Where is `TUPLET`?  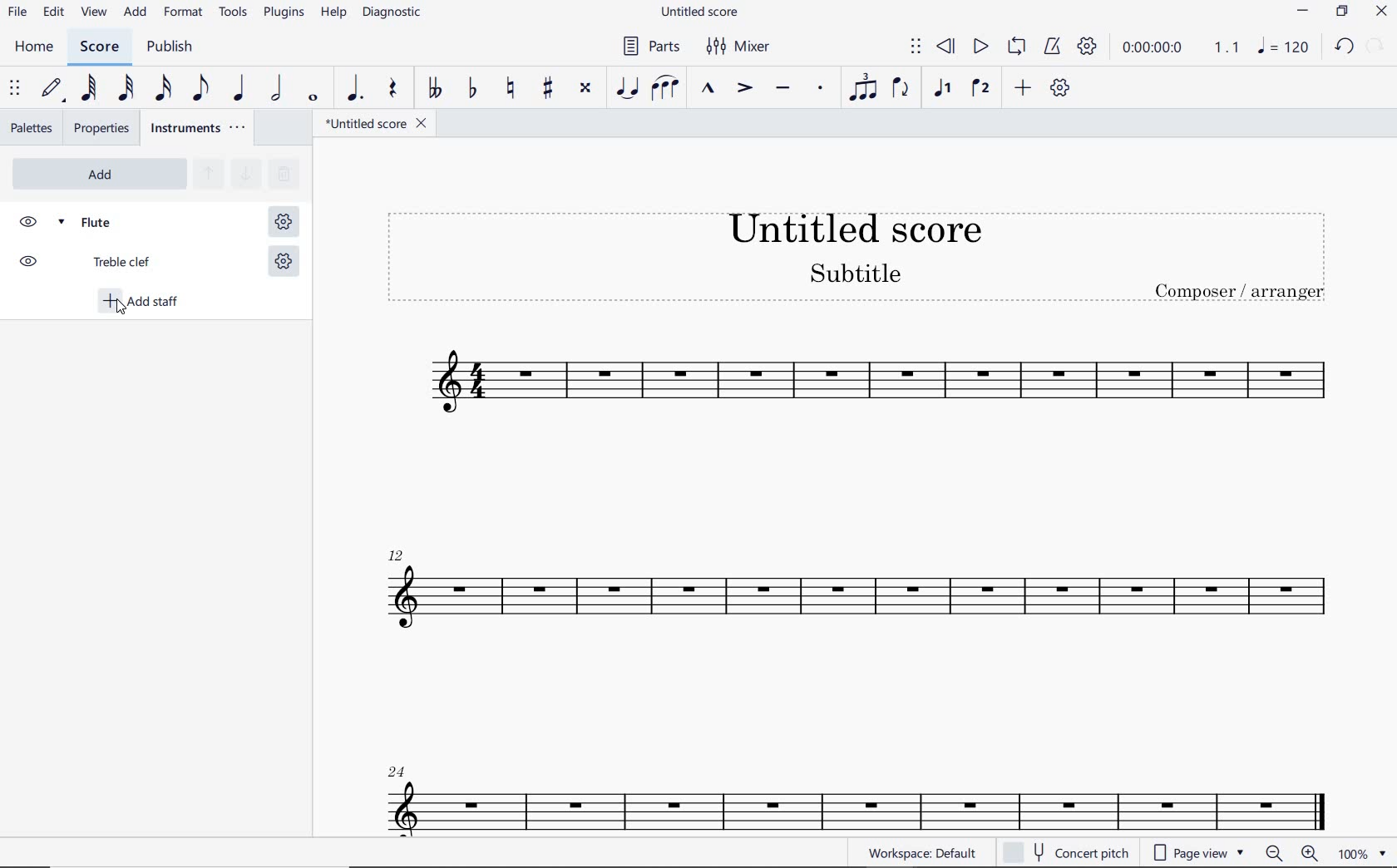
TUPLET is located at coordinates (858, 89).